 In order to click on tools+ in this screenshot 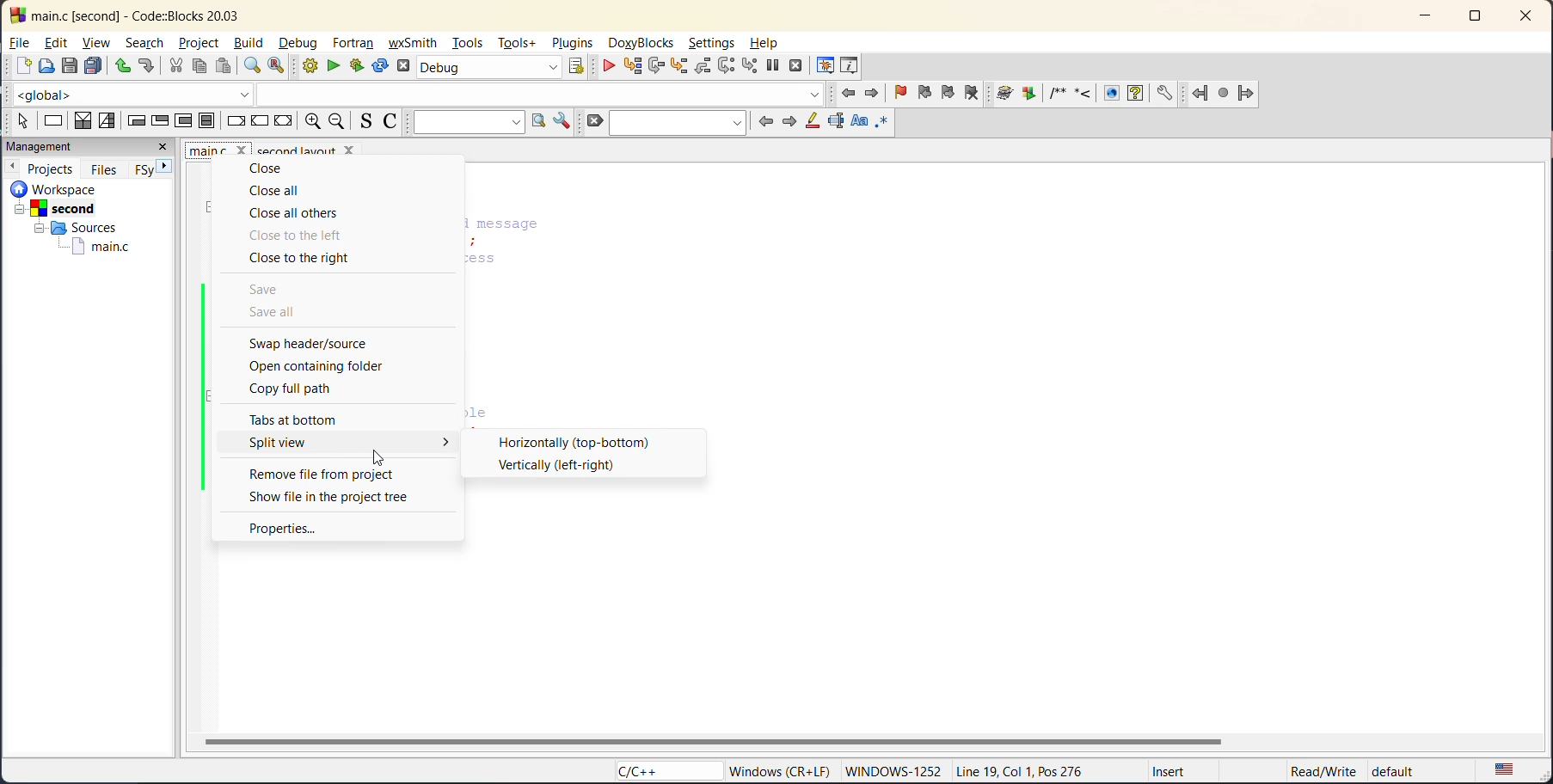, I will do `click(520, 43)`.